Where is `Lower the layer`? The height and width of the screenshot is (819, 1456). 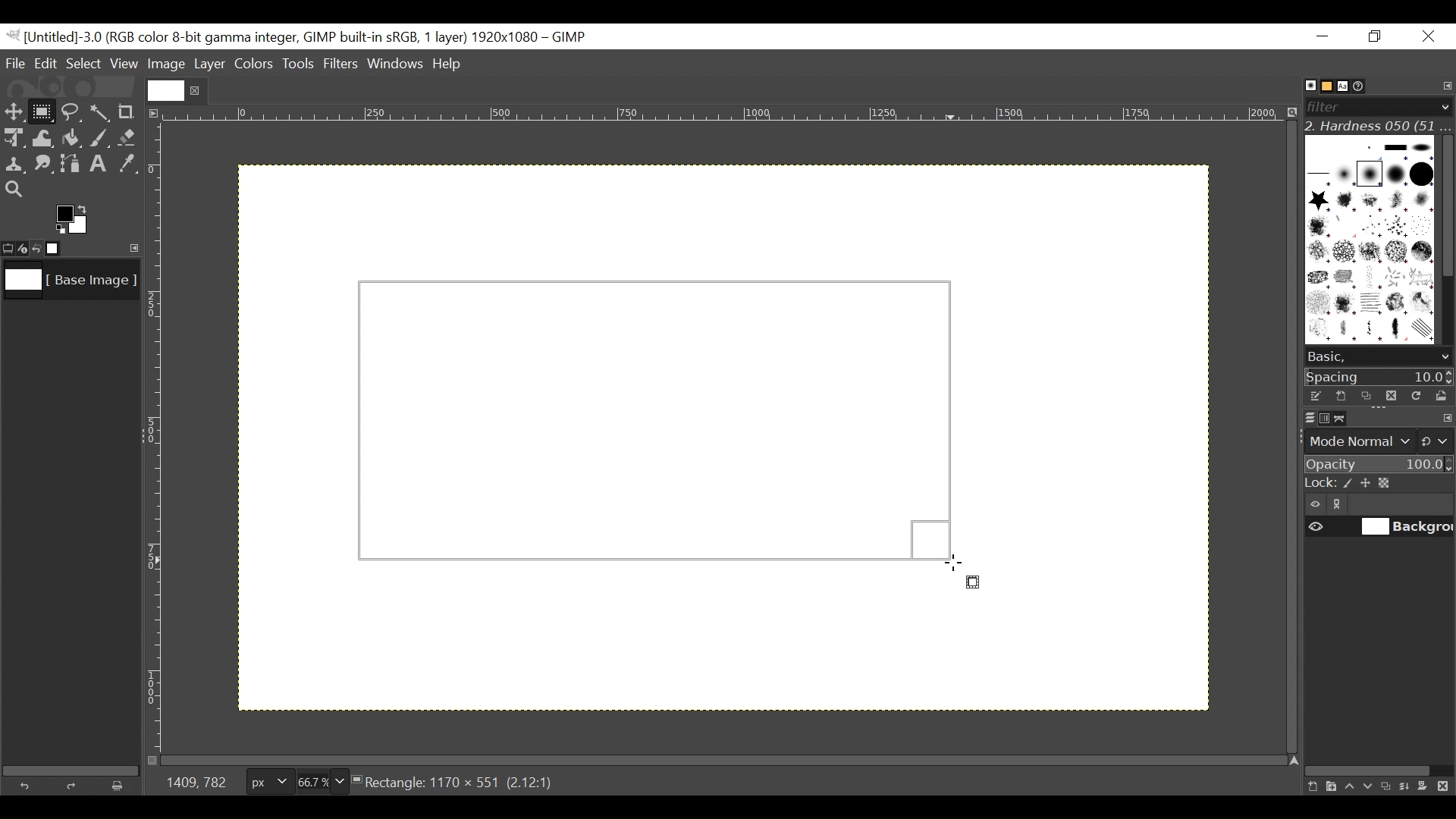 Lower the layer is located at coordinates (1369, 785).